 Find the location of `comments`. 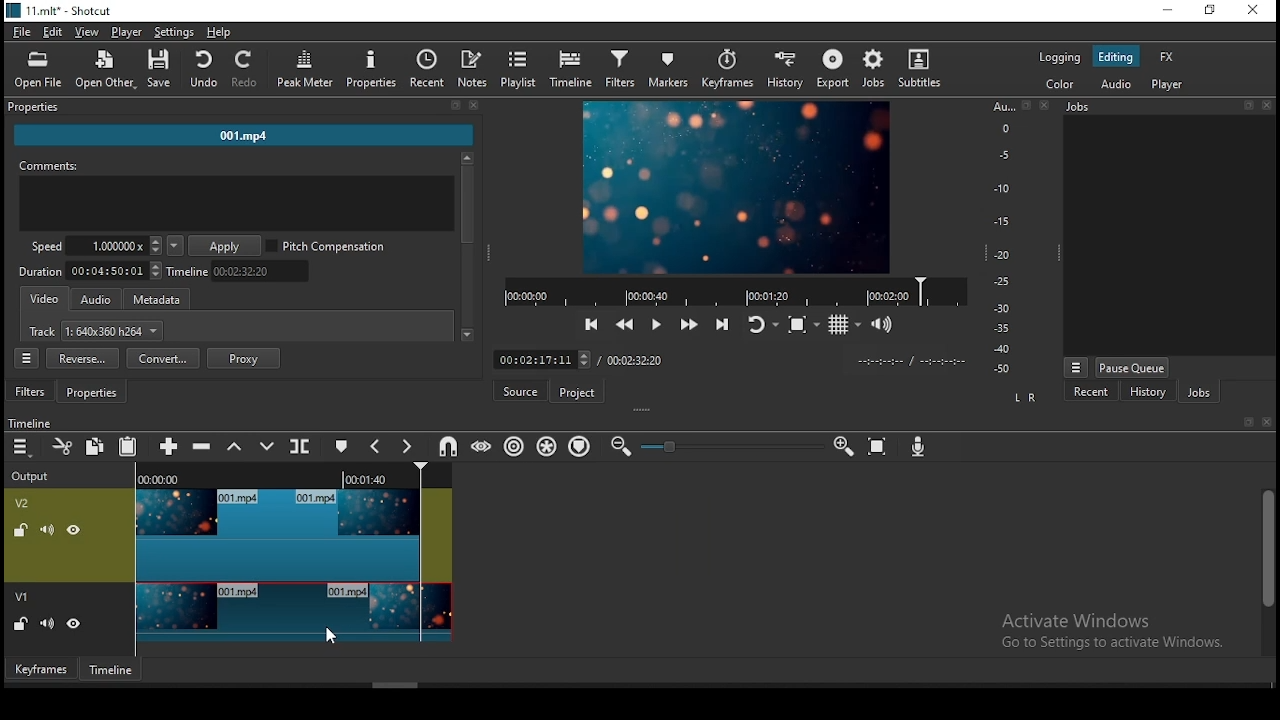

comments is located at coordinates (237, 198).